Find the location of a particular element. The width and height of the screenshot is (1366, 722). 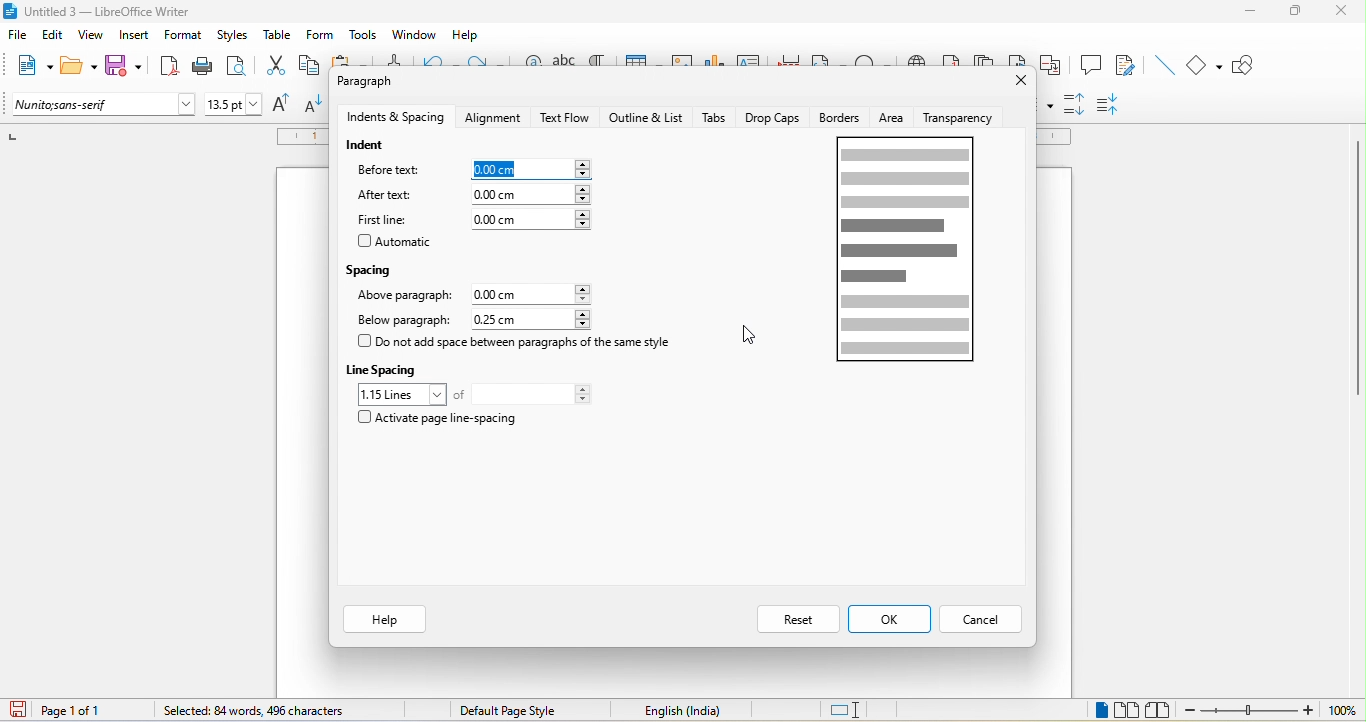

insert is located at coordinates (134, 37).